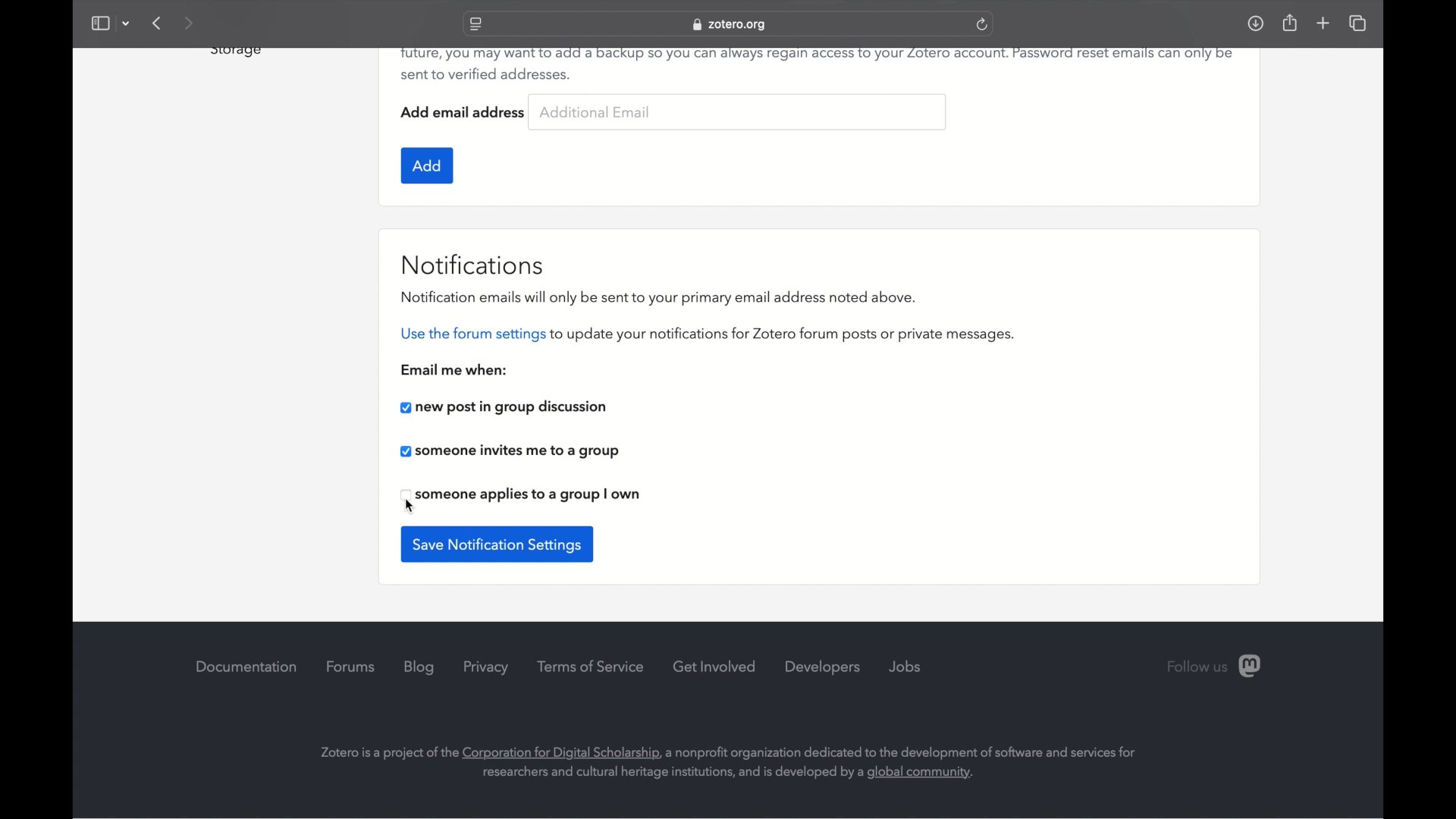  Describe the element at coordinates (99, 23) in the screenshot. I see `show sidebar` at that location.